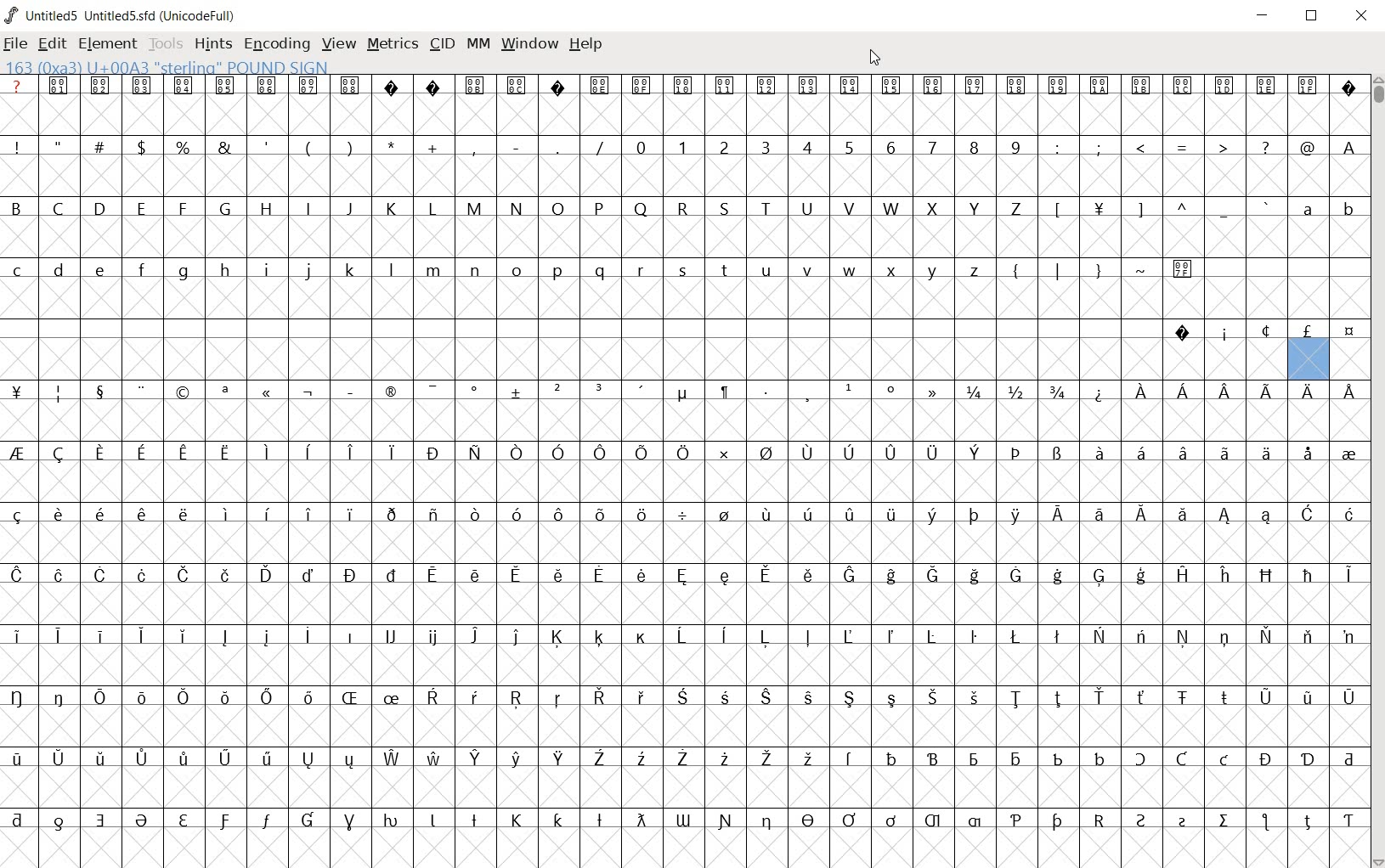  Describe the element at coordinates (1015, 821) in the screenshot. I see `Symbol` at that location.